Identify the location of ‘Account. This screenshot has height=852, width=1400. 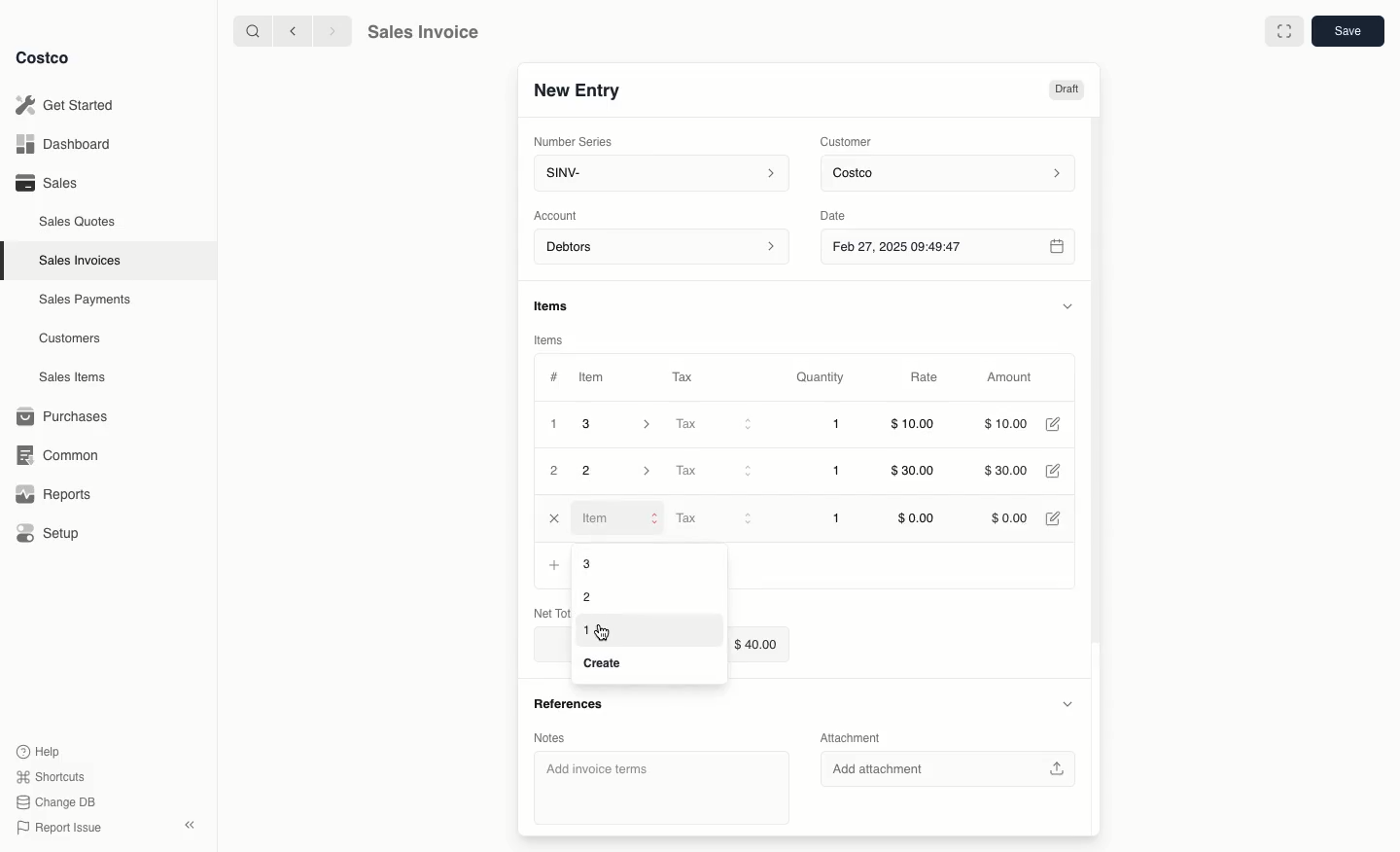
(559, 214).